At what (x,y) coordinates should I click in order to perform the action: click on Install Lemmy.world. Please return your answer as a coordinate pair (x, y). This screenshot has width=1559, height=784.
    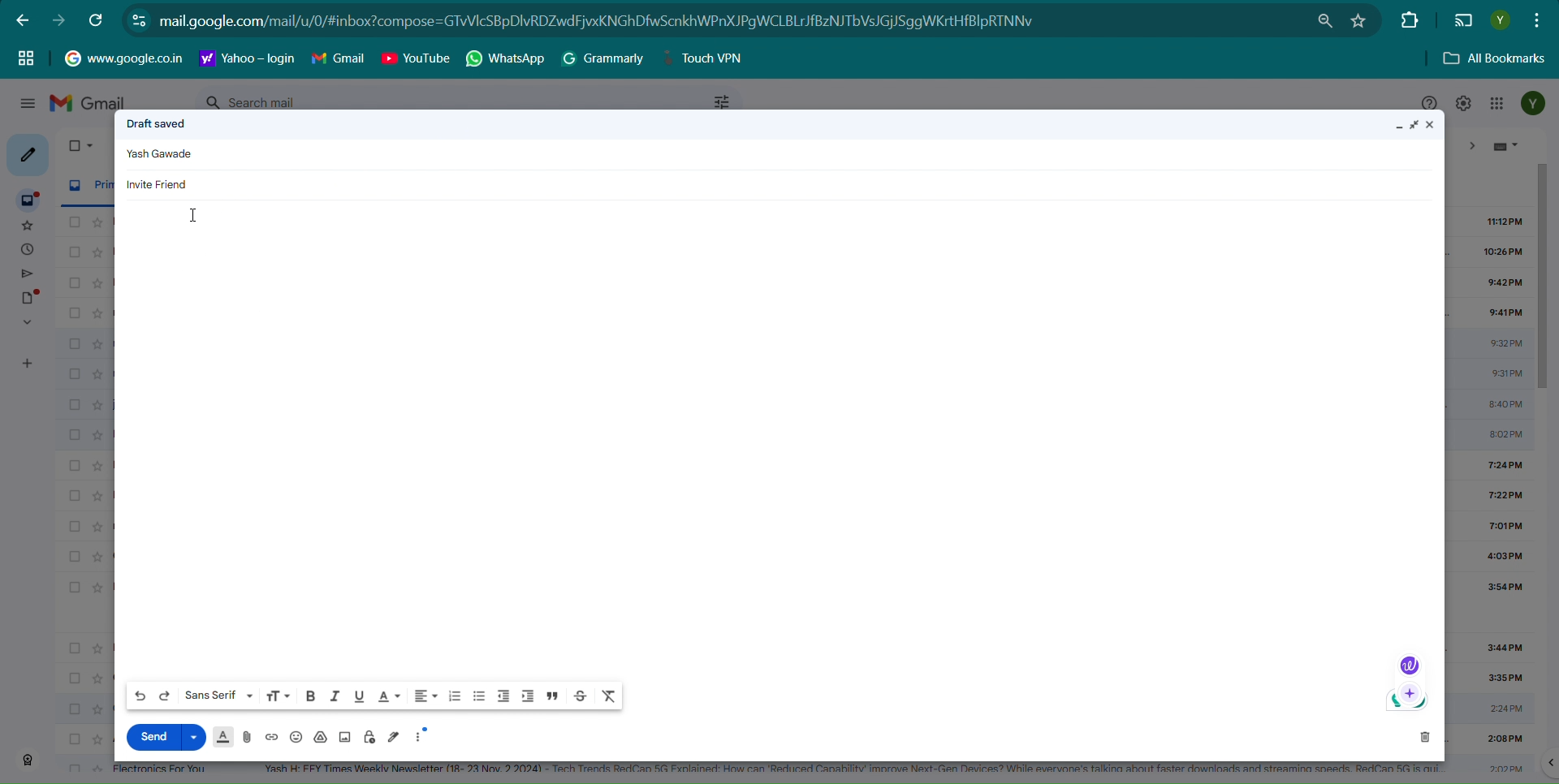
    Looking at the image, I should click on (1328, 21).